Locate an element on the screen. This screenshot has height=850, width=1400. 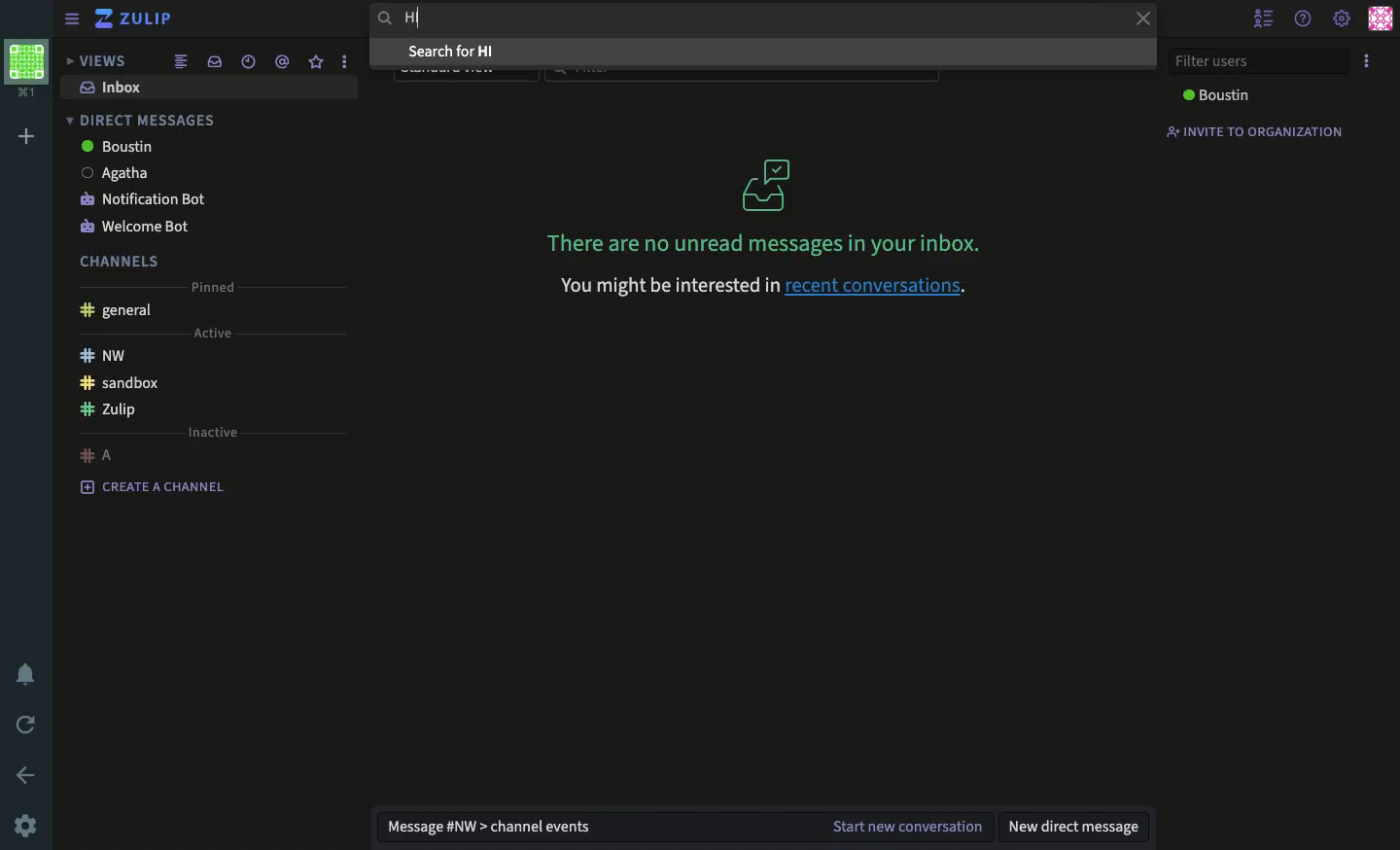
views is located at coordinates (97, 62).